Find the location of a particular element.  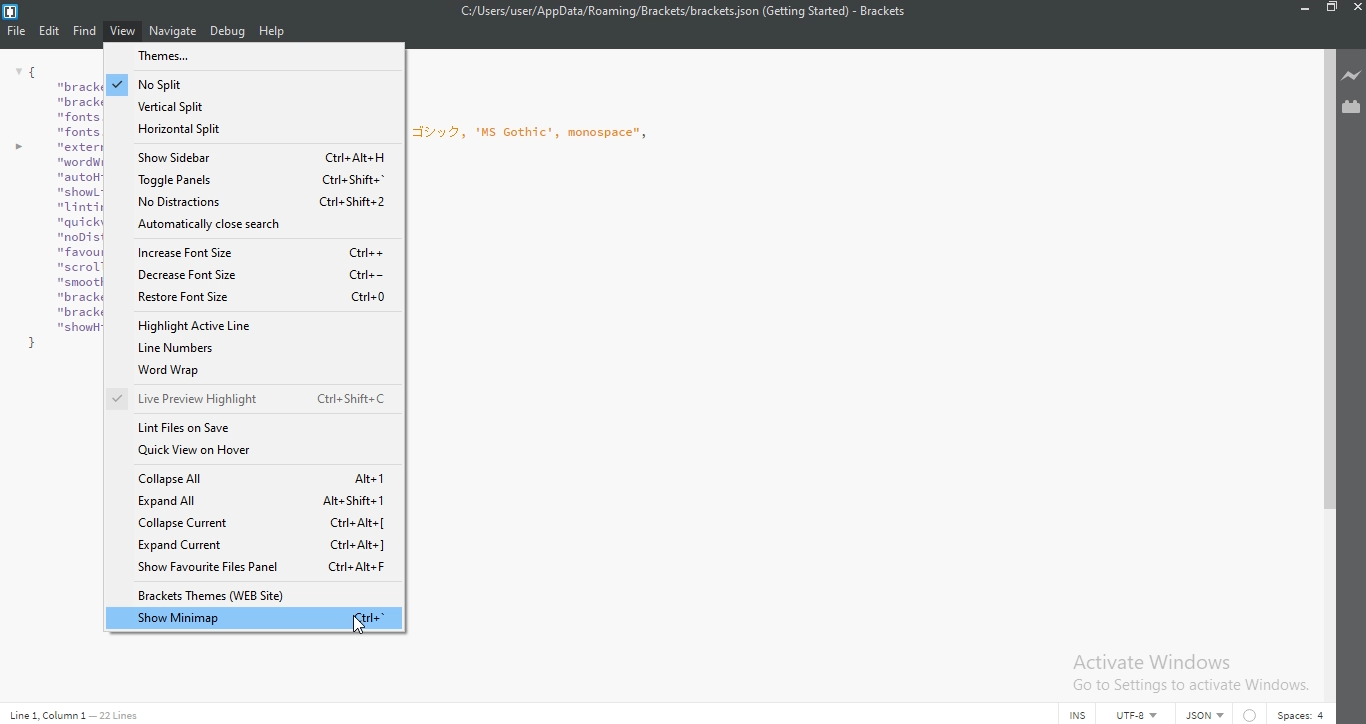

collapse current is located at coordinates (250, 523).